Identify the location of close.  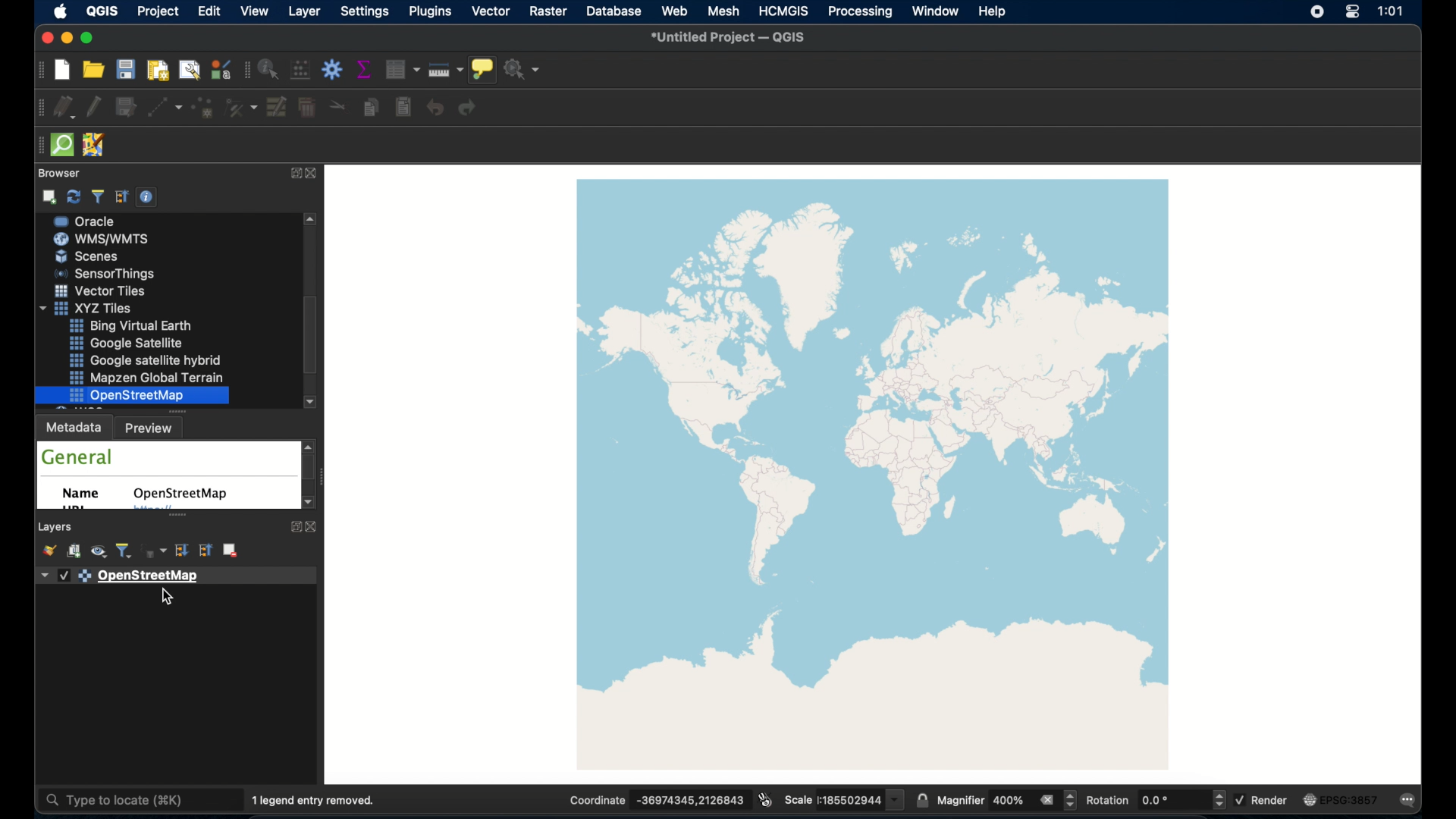
(315, 527).